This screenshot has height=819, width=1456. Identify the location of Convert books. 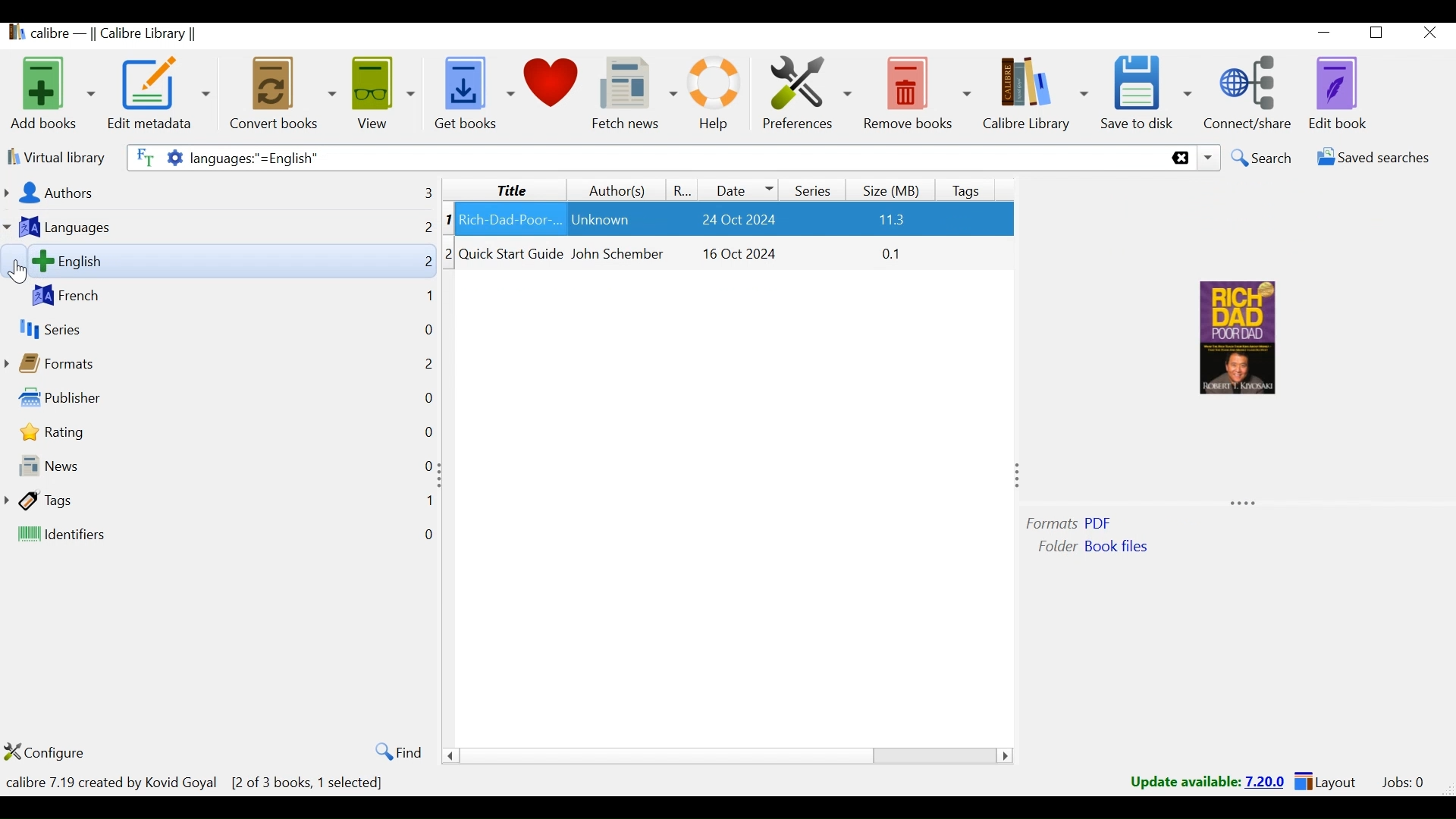
(281, 93).